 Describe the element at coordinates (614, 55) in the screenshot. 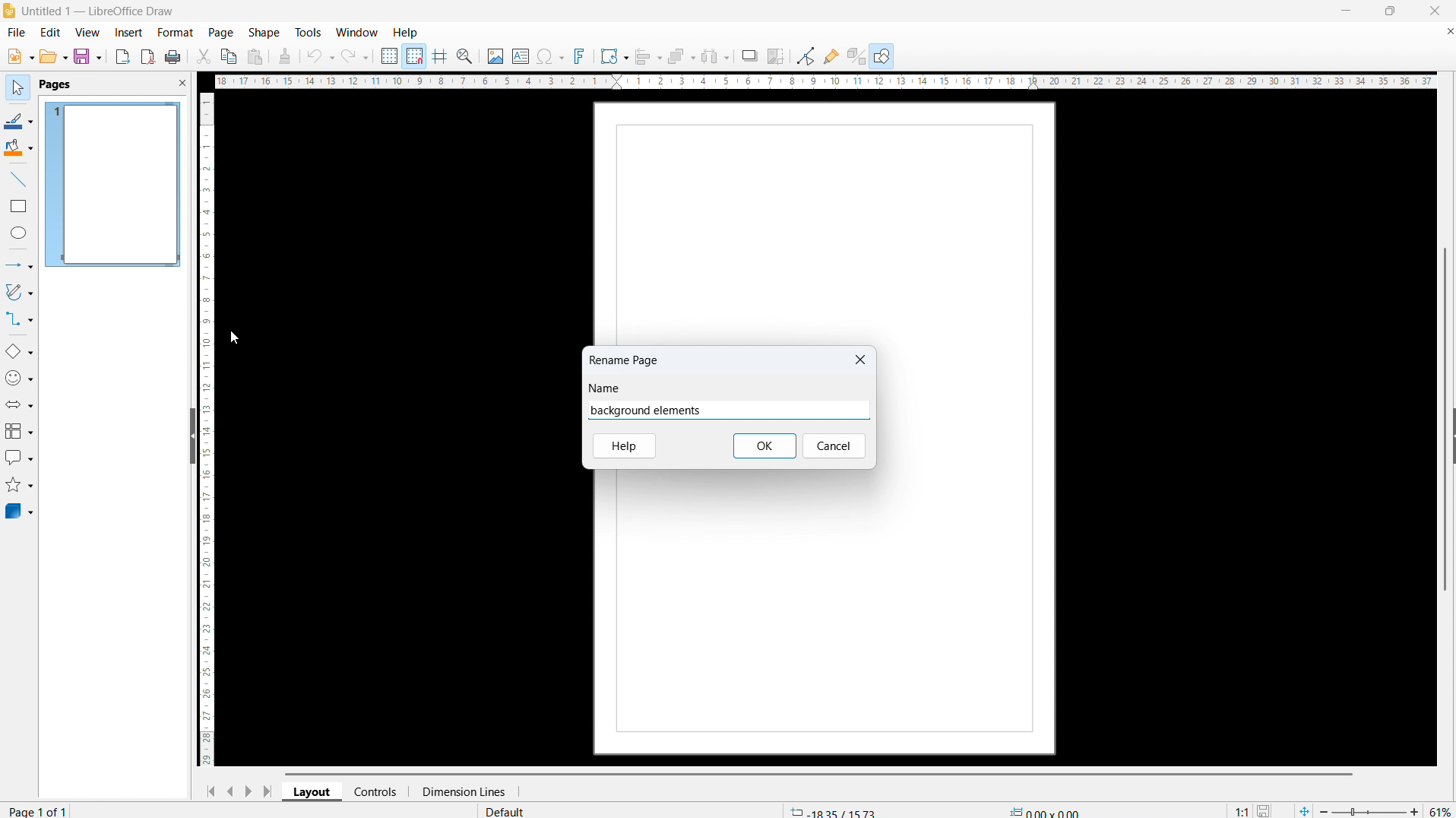

I see `transformations` at that location.